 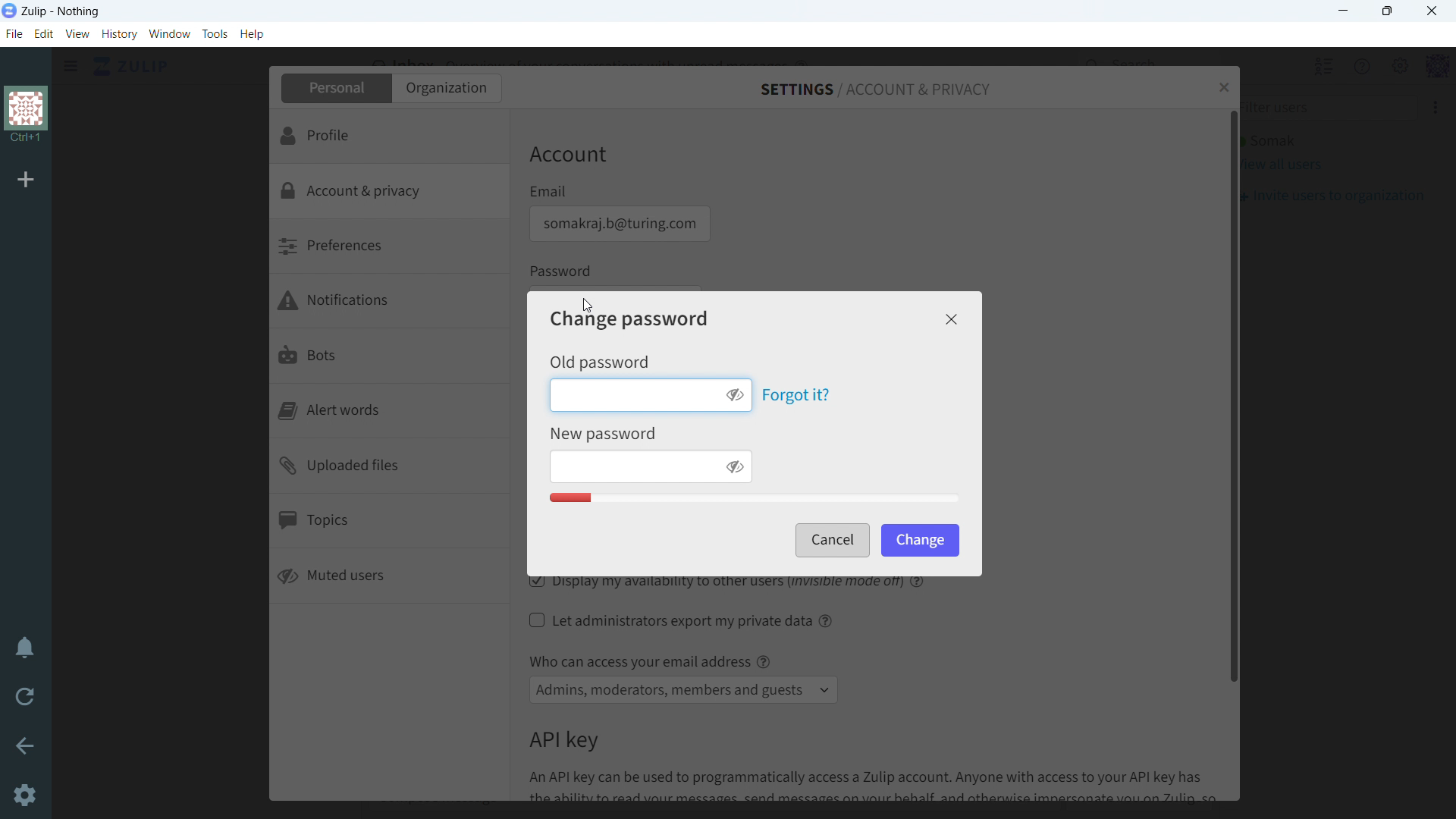 What do you see at coordinates (649, 661) in the screenshot?
I see `Who can access your email address @` at bounding box center [649, 661].